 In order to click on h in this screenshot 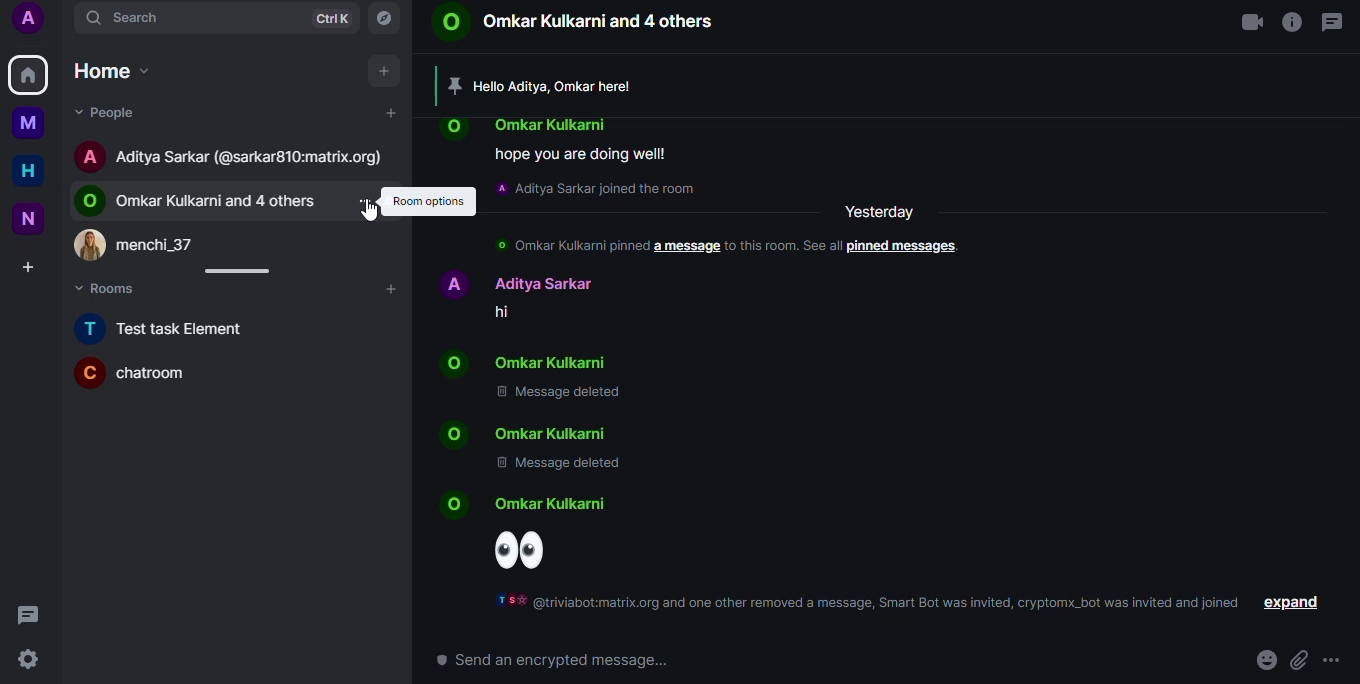, I will do `click(35, 172)`.